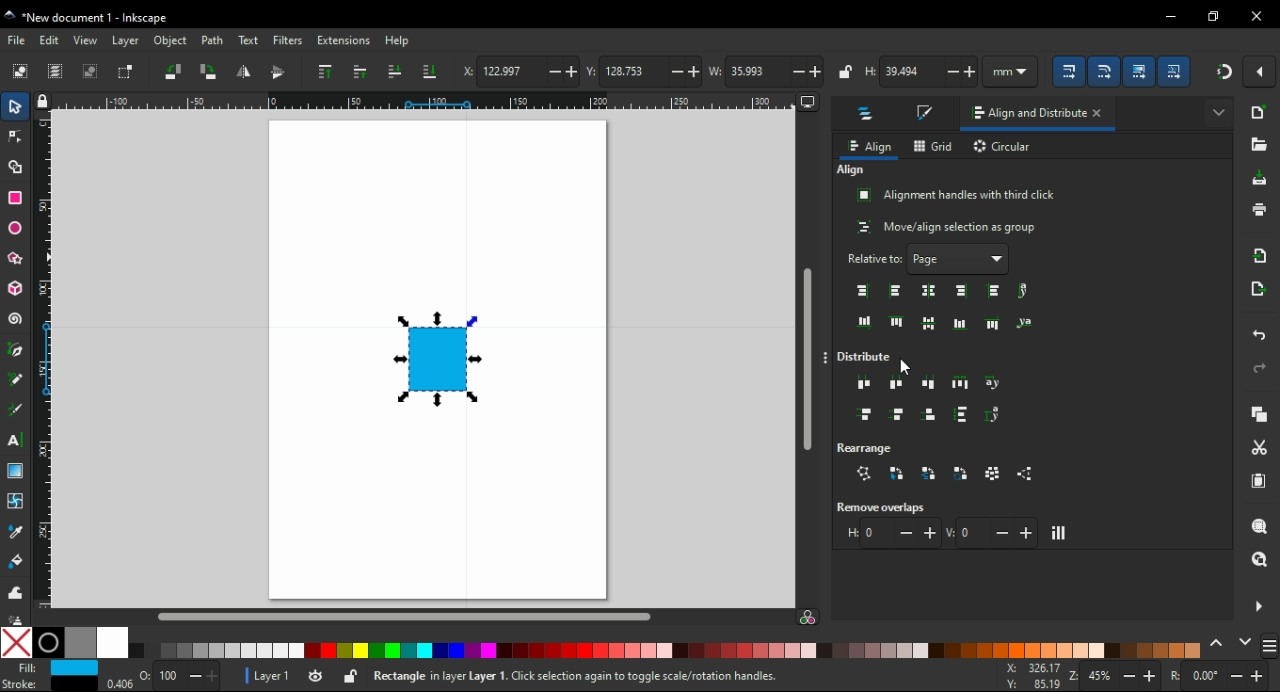 The image size is (1280, 692). What do you see at coordinates (1245, 641) in the screenshot?
I see `next` at bounding box center [1245, 641].